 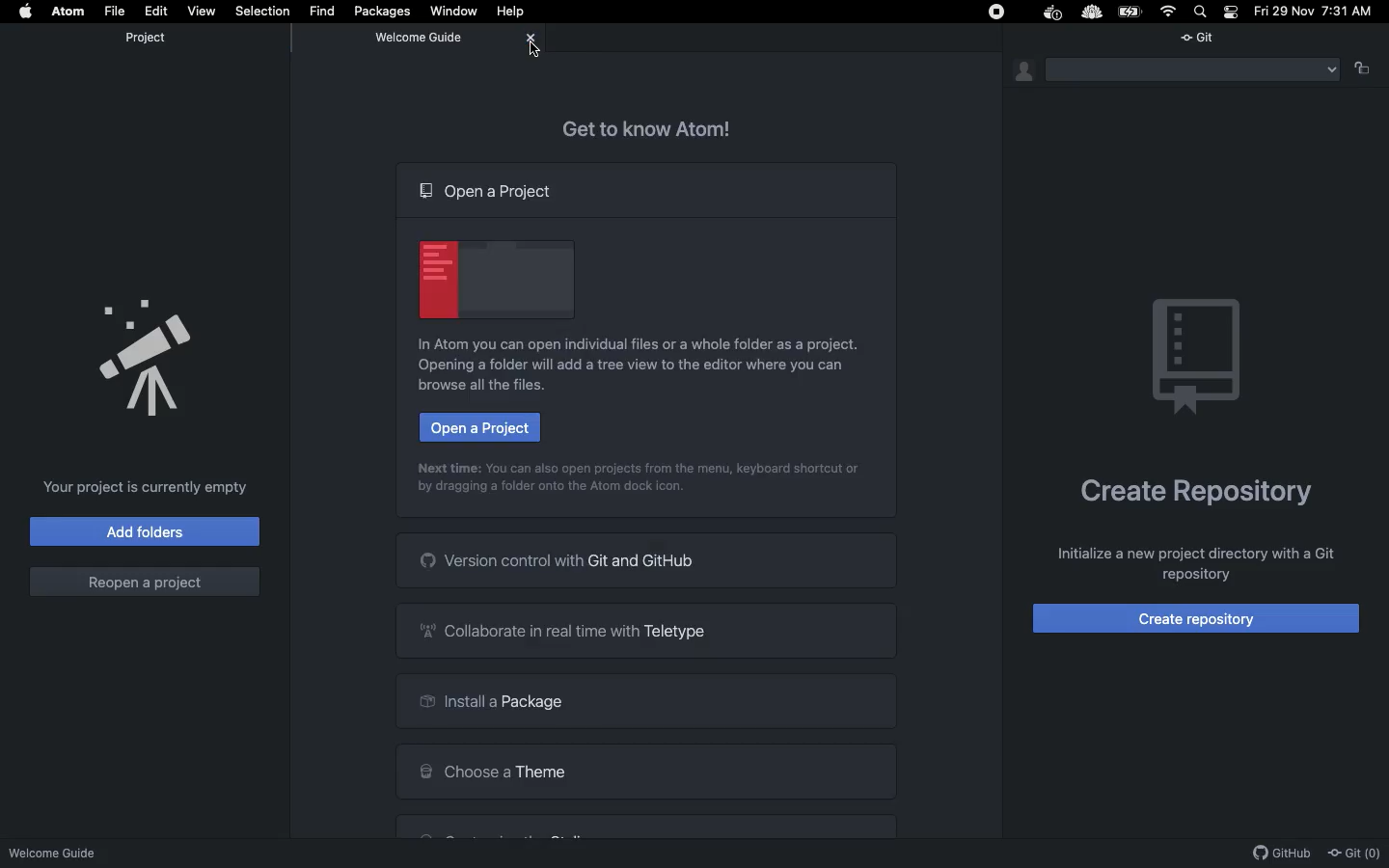 I want to click on Atom, so click(x=68, y=10).